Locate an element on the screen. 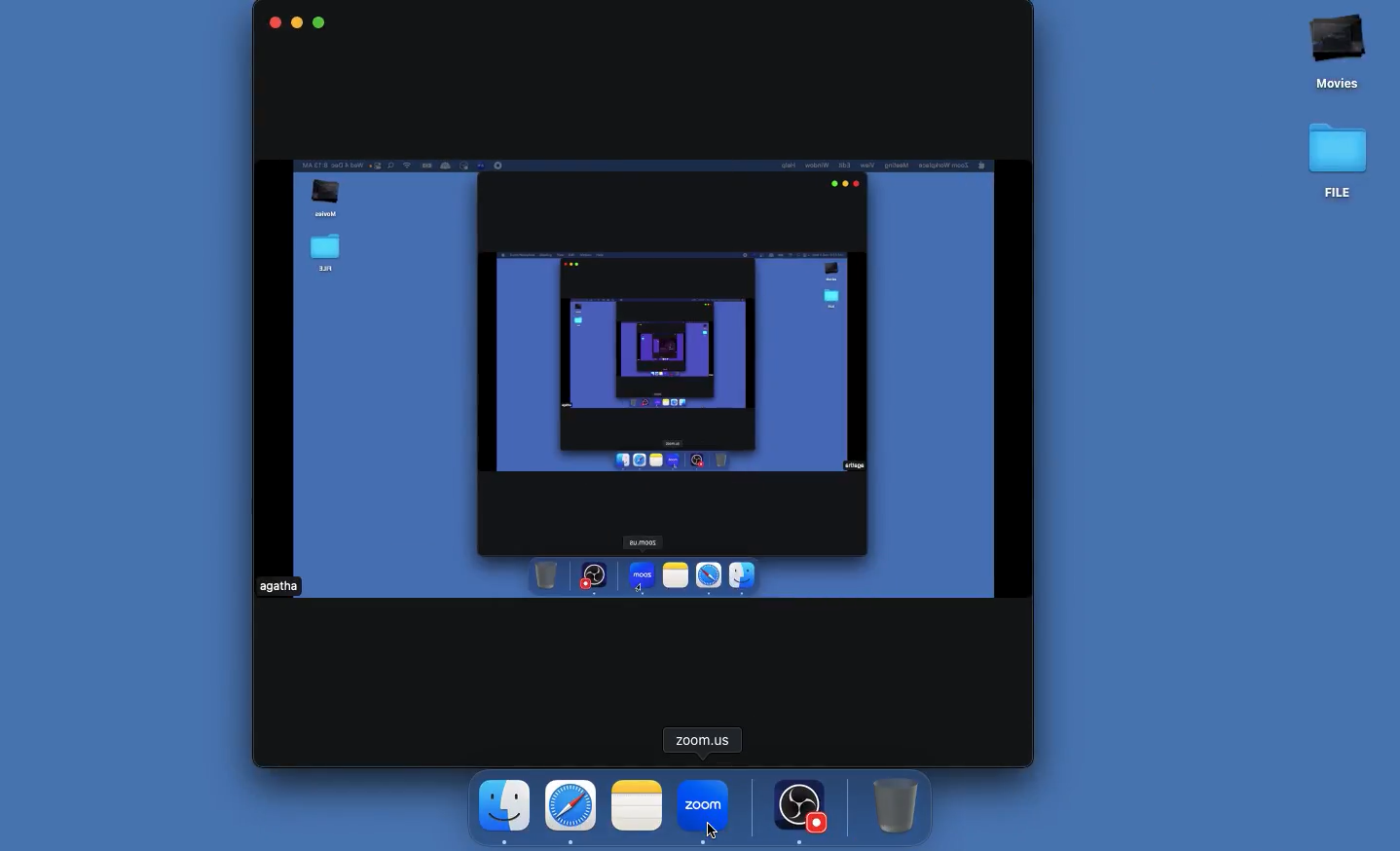 This screenshot has width=1400, height=851. Safari is located at coordinates (571, 810).